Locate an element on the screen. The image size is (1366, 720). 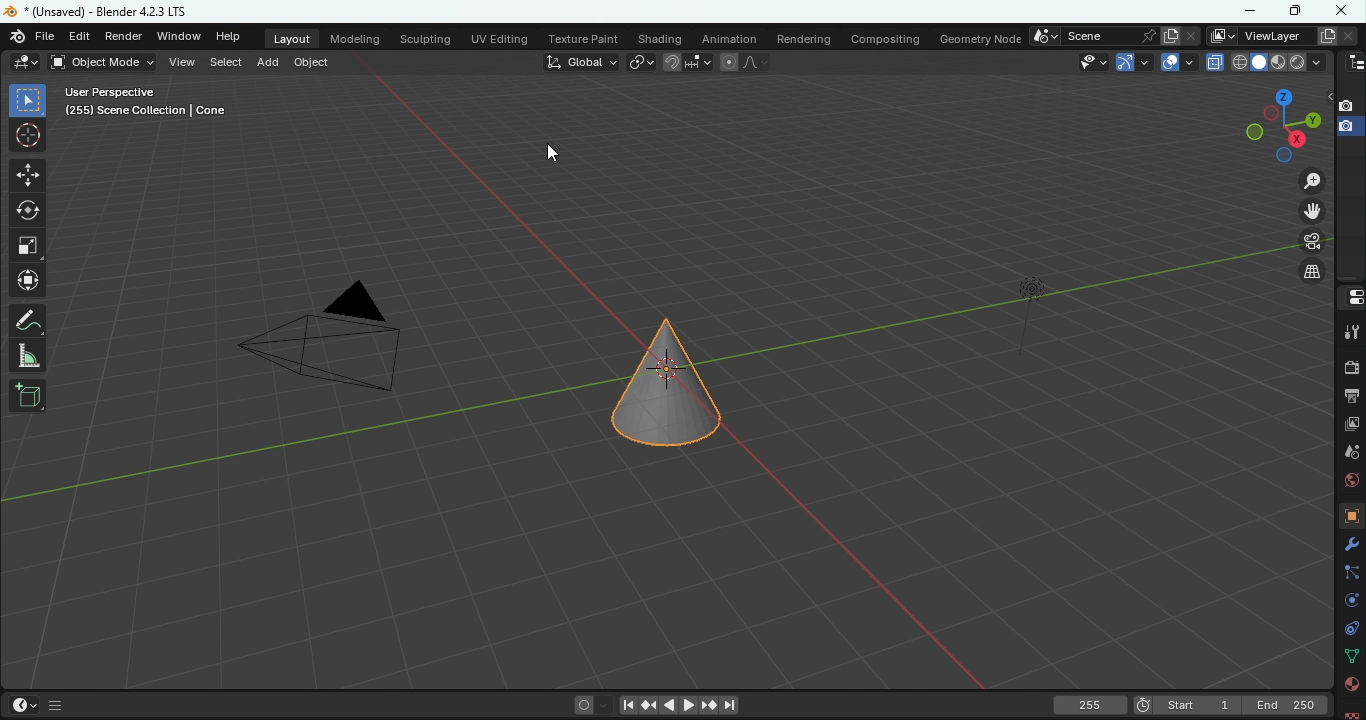
Animation is located at coordinates (728, 38).